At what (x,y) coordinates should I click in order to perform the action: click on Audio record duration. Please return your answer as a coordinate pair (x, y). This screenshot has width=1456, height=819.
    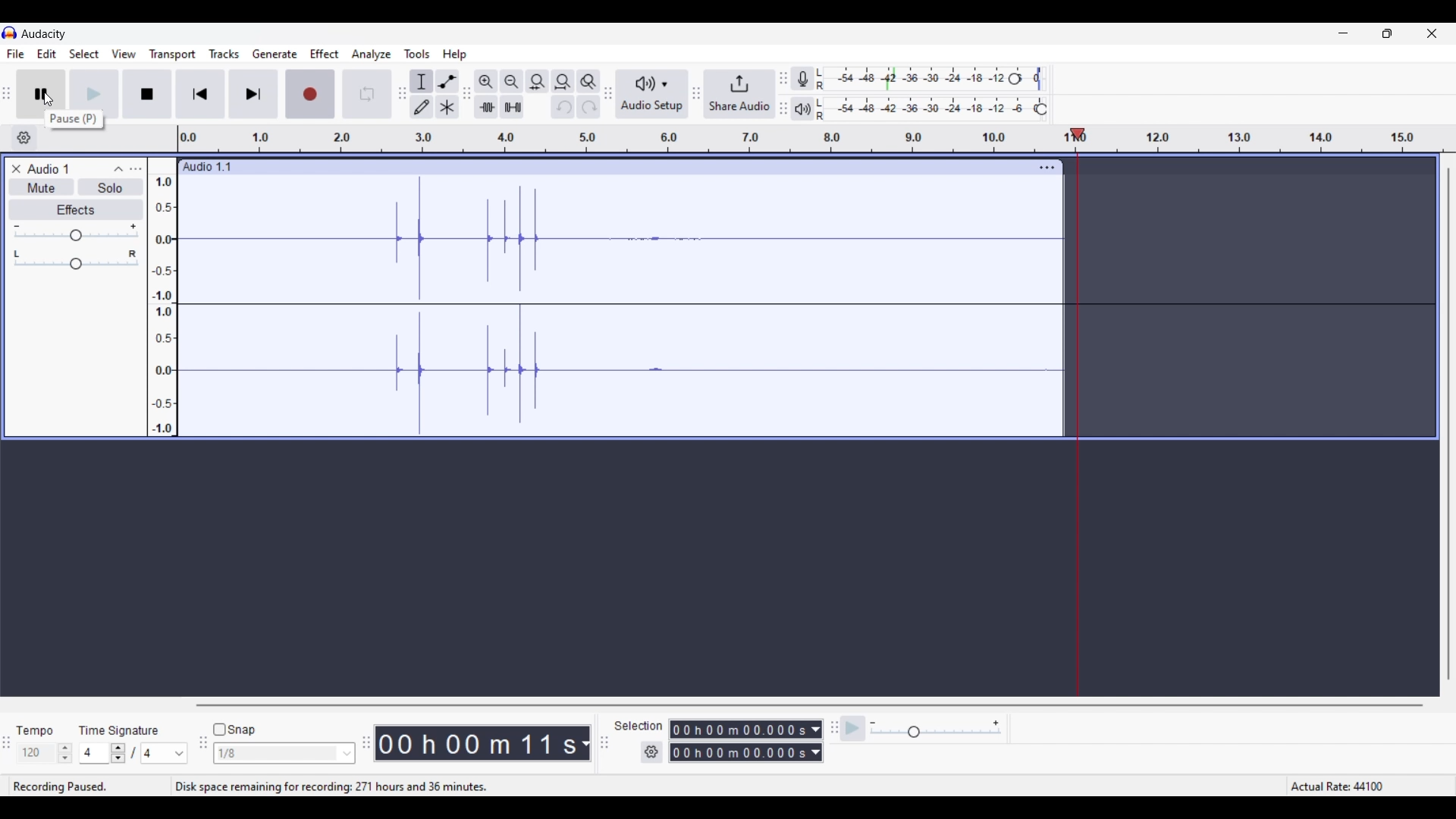
    Looking at the image, I should click on (478, 744).